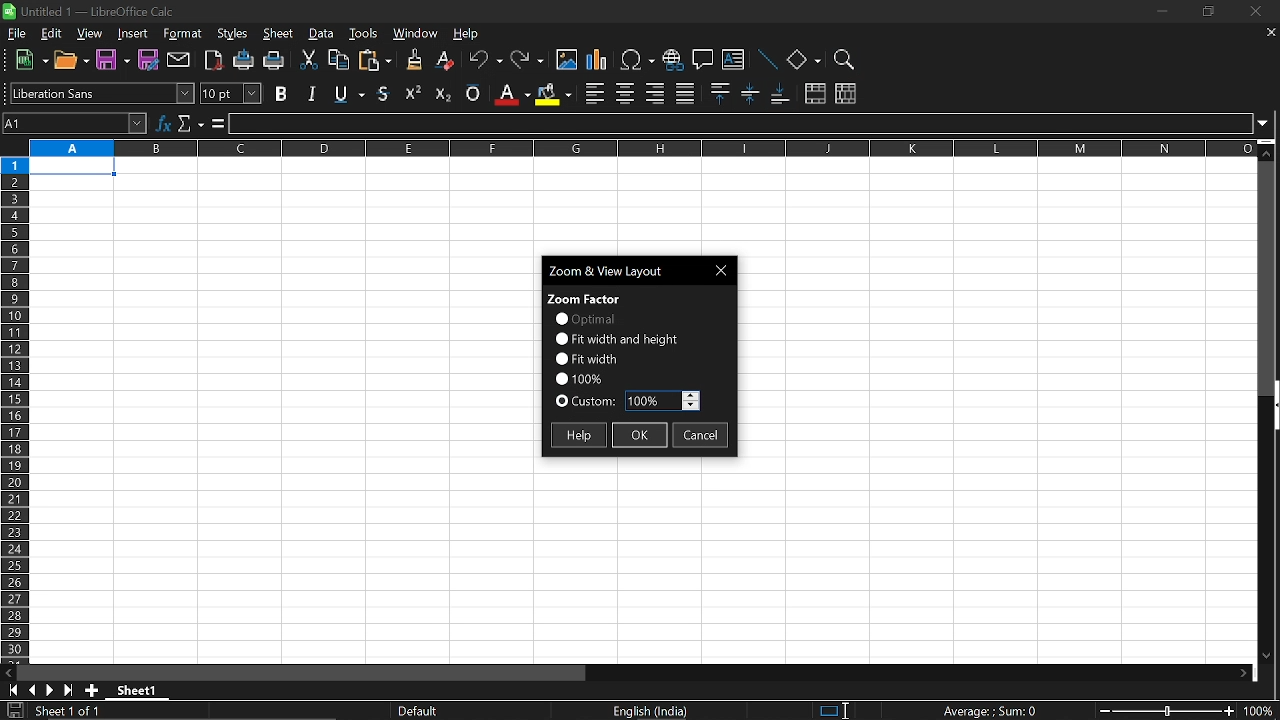 This screenshot has width=1280, height=720. What do you see at coordinates (111, 61) in the screenshot?
I see `Save` at bounding box center [111, 61].